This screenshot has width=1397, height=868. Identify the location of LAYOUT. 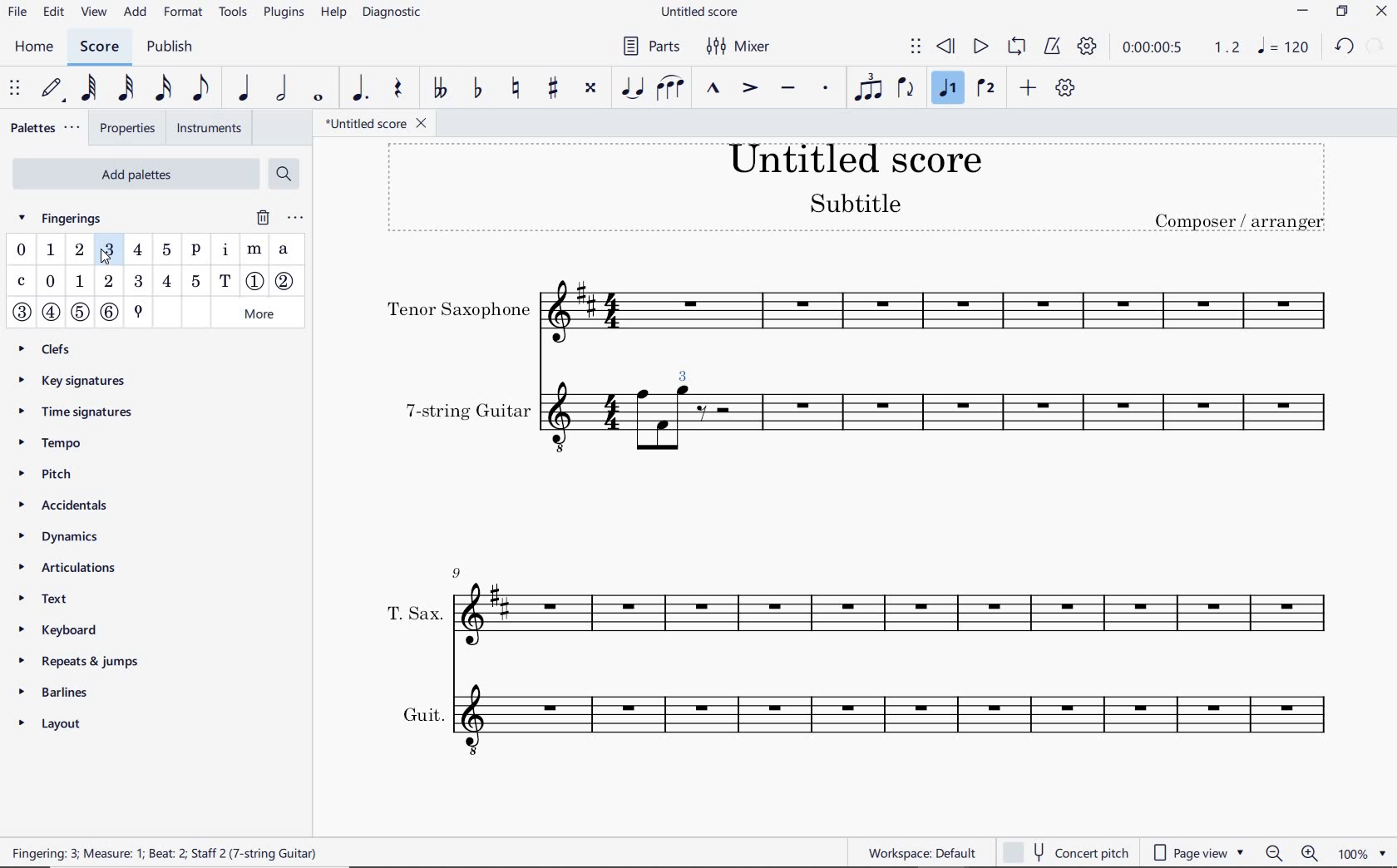
(56, 721).